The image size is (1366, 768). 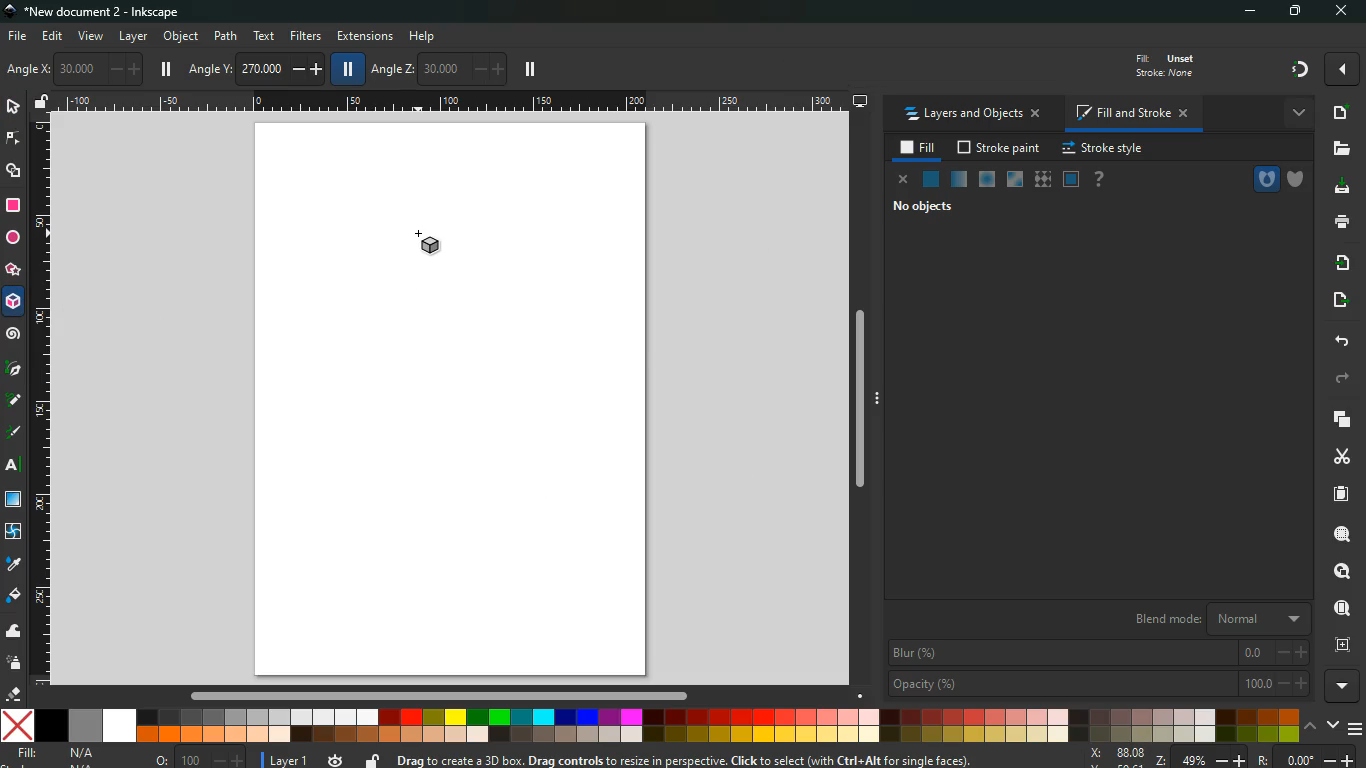 I want to click on fill, so click(x=14, y=596).